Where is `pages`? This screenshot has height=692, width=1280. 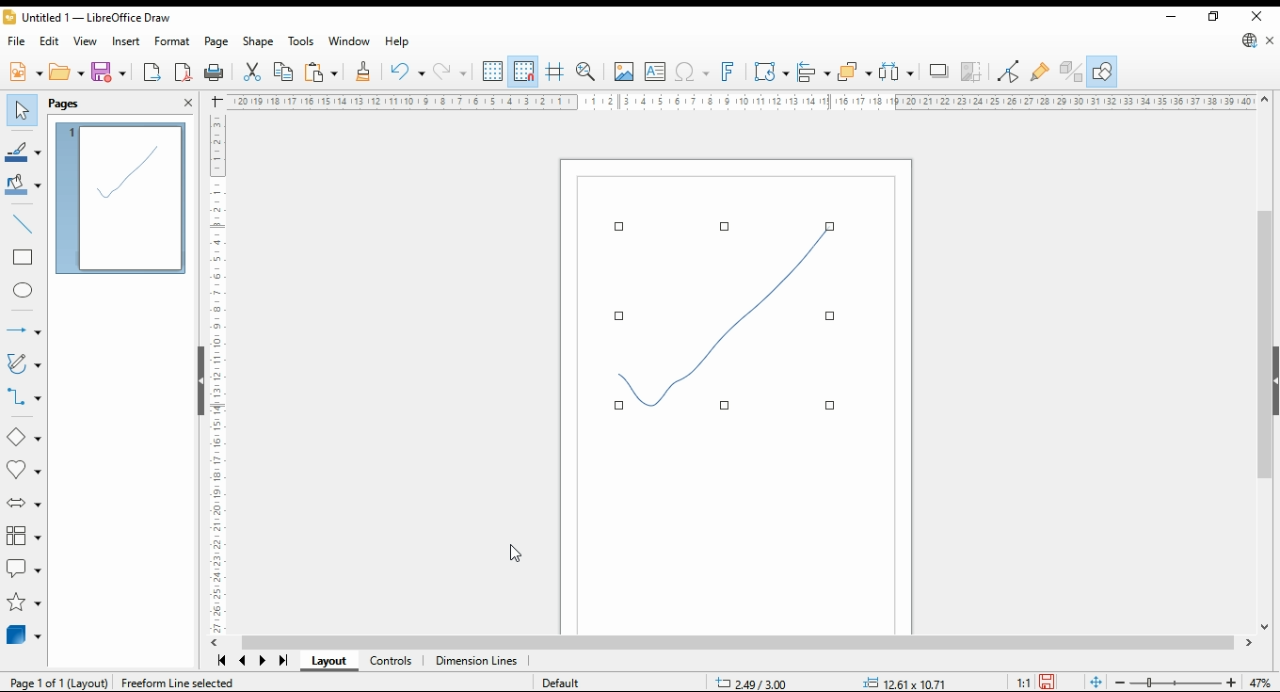
pages is located at coordinates (68, 104).